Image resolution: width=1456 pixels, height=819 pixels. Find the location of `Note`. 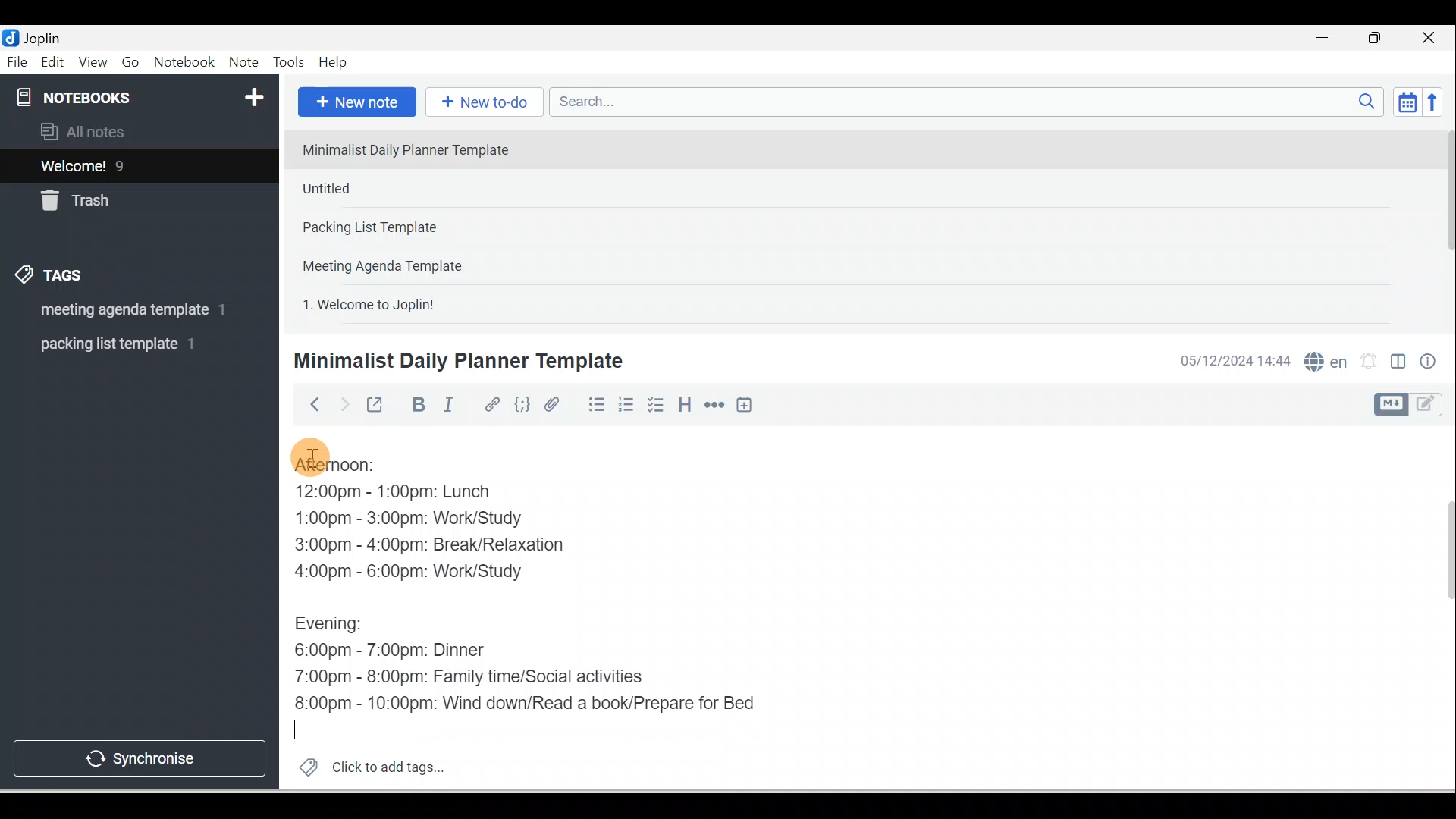

Note is located at coordinates (242, 63).